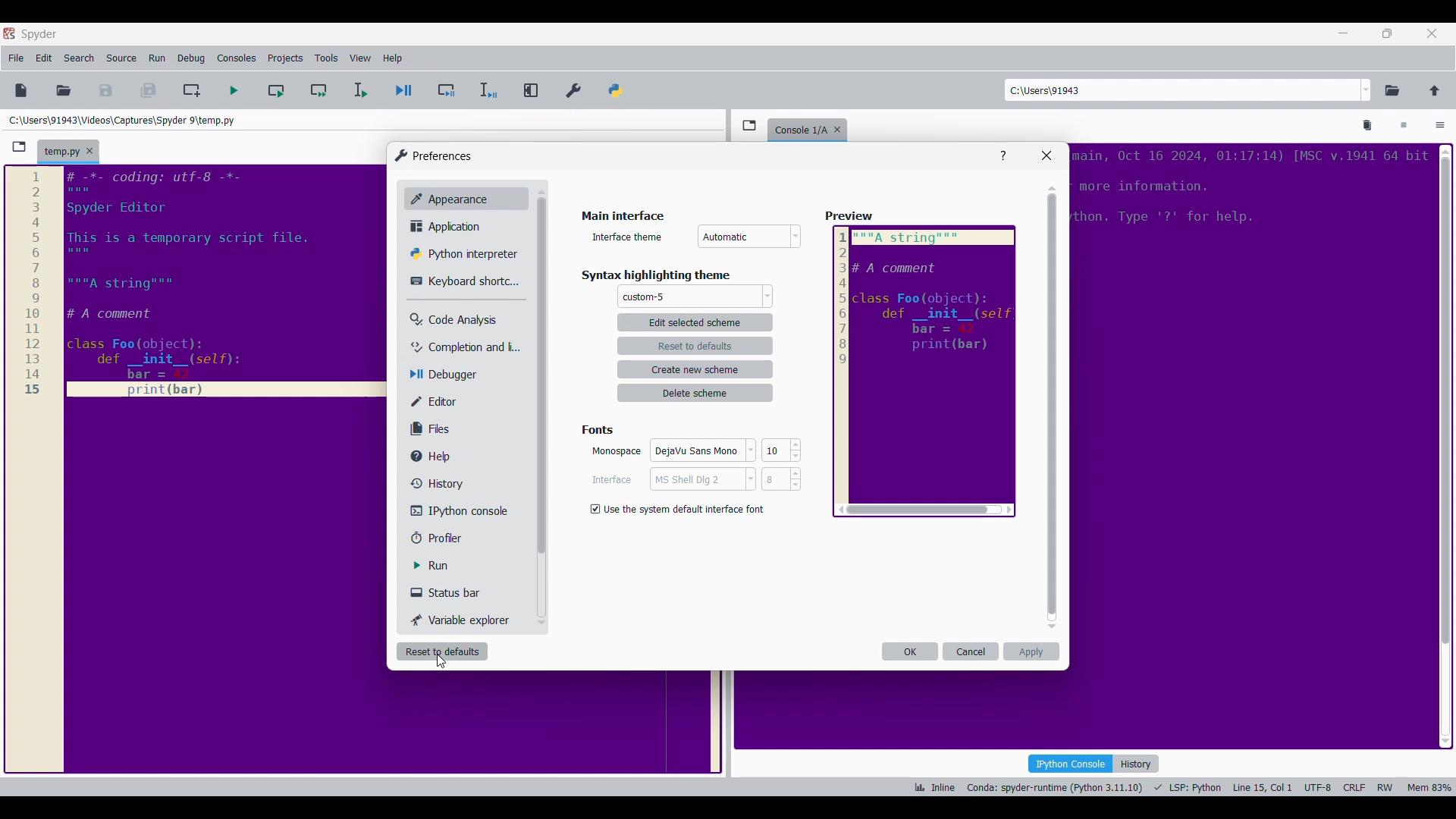 This screenshot has width=1456, height=819. What do you see at coordinates (278, 90) in the screenshot?
I see `Run current cell` at bounding box center [278, 90].